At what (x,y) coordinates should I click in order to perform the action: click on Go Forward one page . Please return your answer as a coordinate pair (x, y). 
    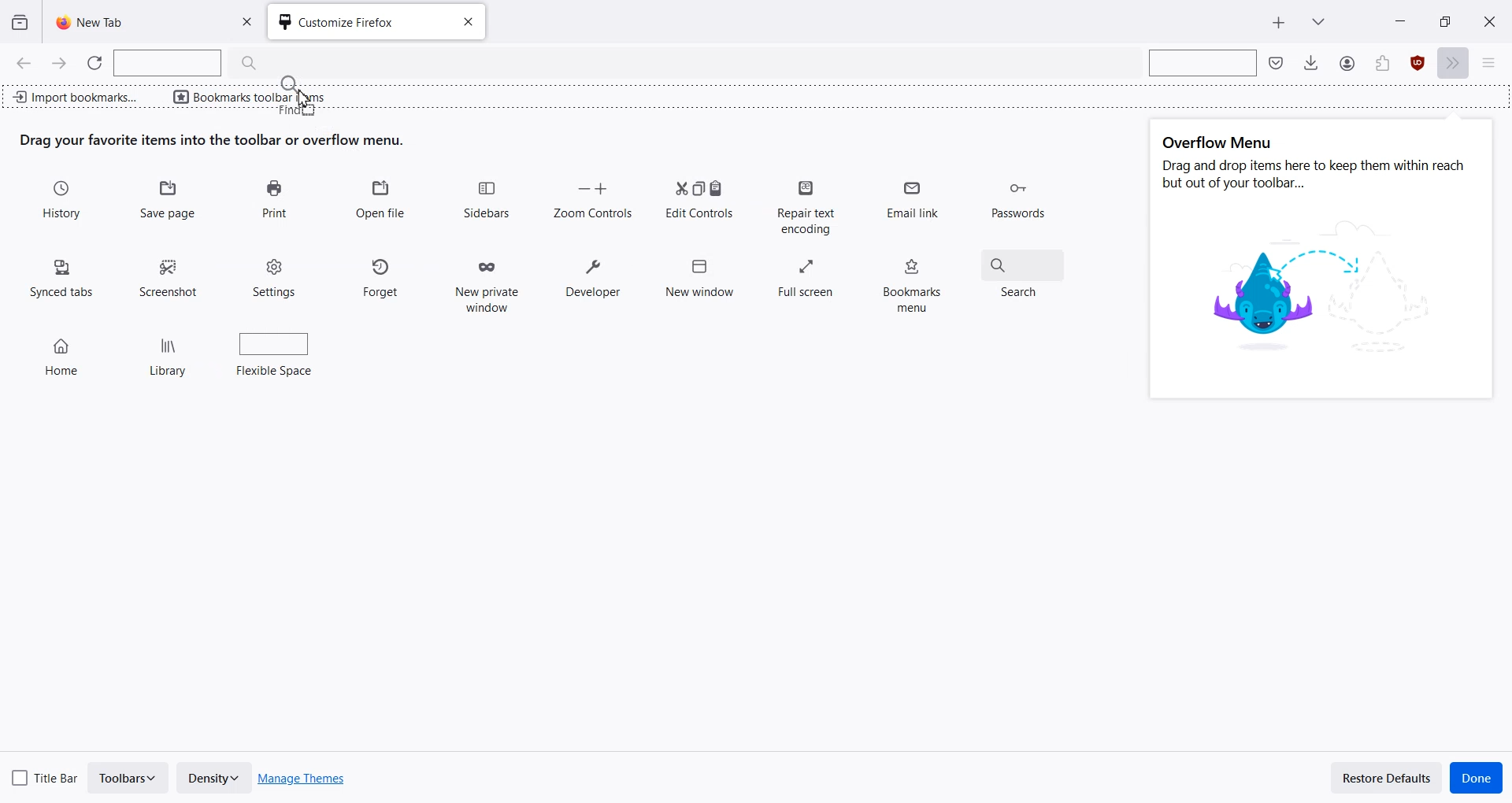
    Looking at the image, I should click on (61, 63).